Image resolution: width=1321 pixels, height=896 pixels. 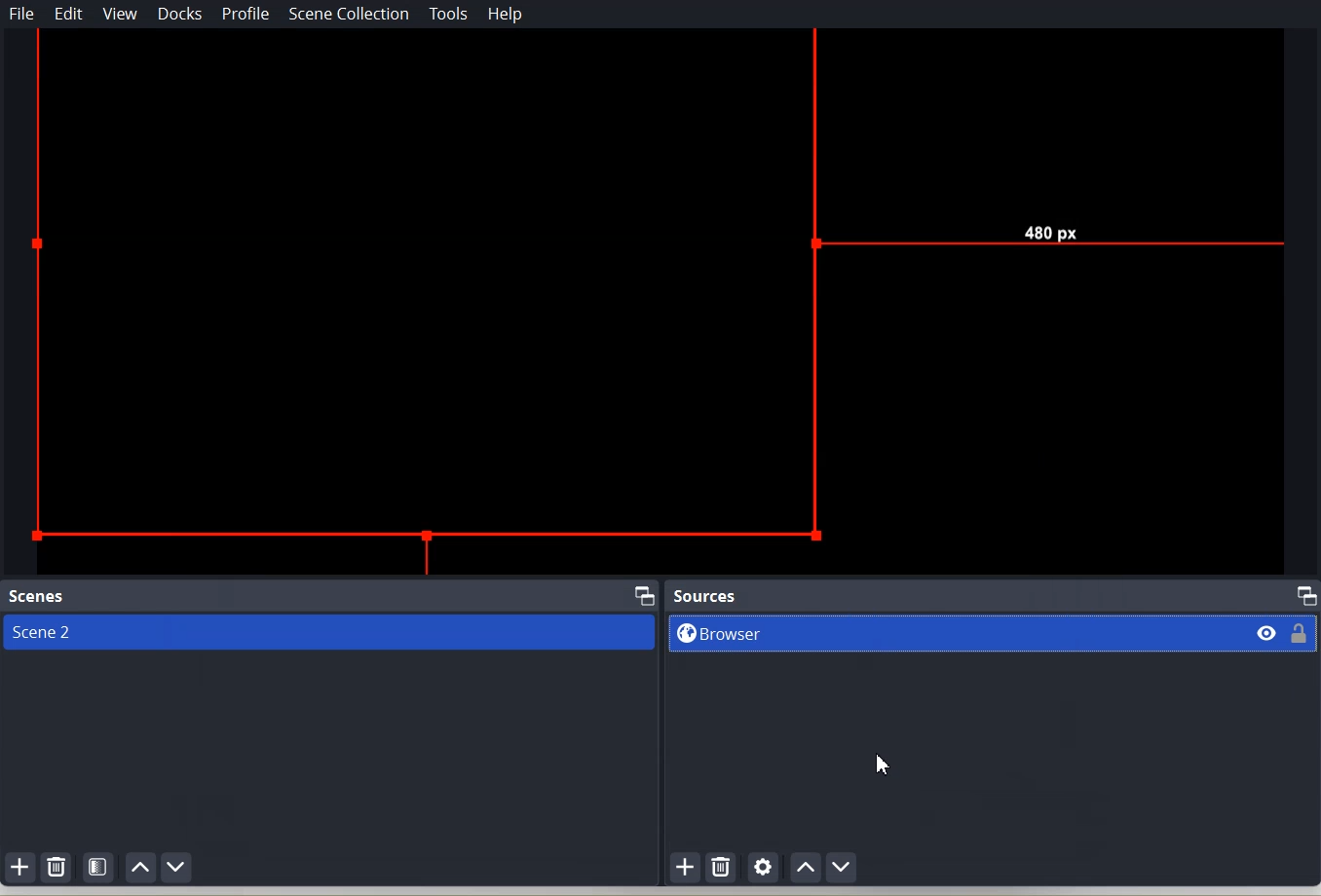 I want to click on Tools, so click(x=450, y=13).